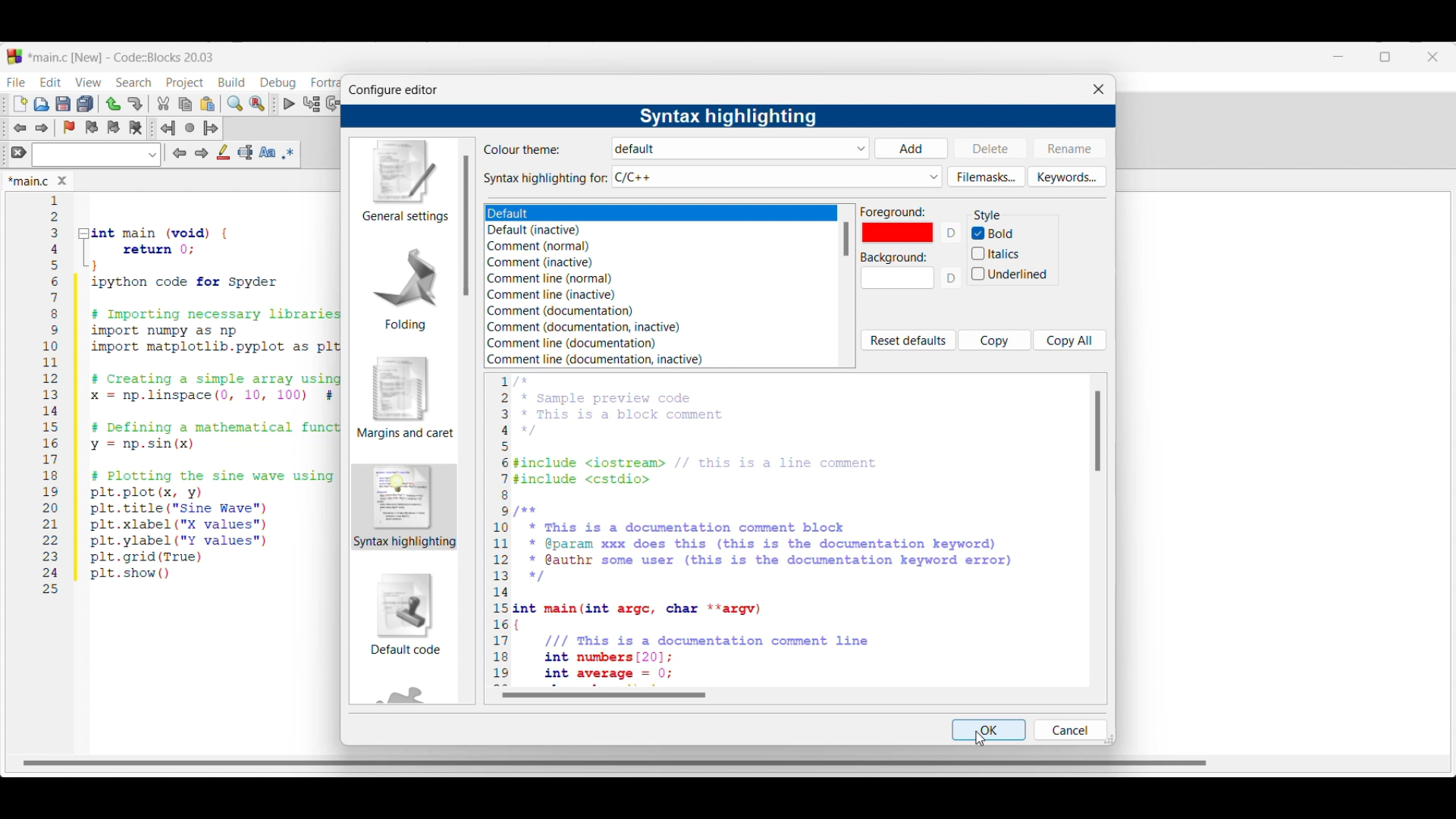 The height and width of the screenshot is (819, 1456). Describe the element at coordinates (544, 247) in the screenshot. I see `Comment (normal)` at that location.